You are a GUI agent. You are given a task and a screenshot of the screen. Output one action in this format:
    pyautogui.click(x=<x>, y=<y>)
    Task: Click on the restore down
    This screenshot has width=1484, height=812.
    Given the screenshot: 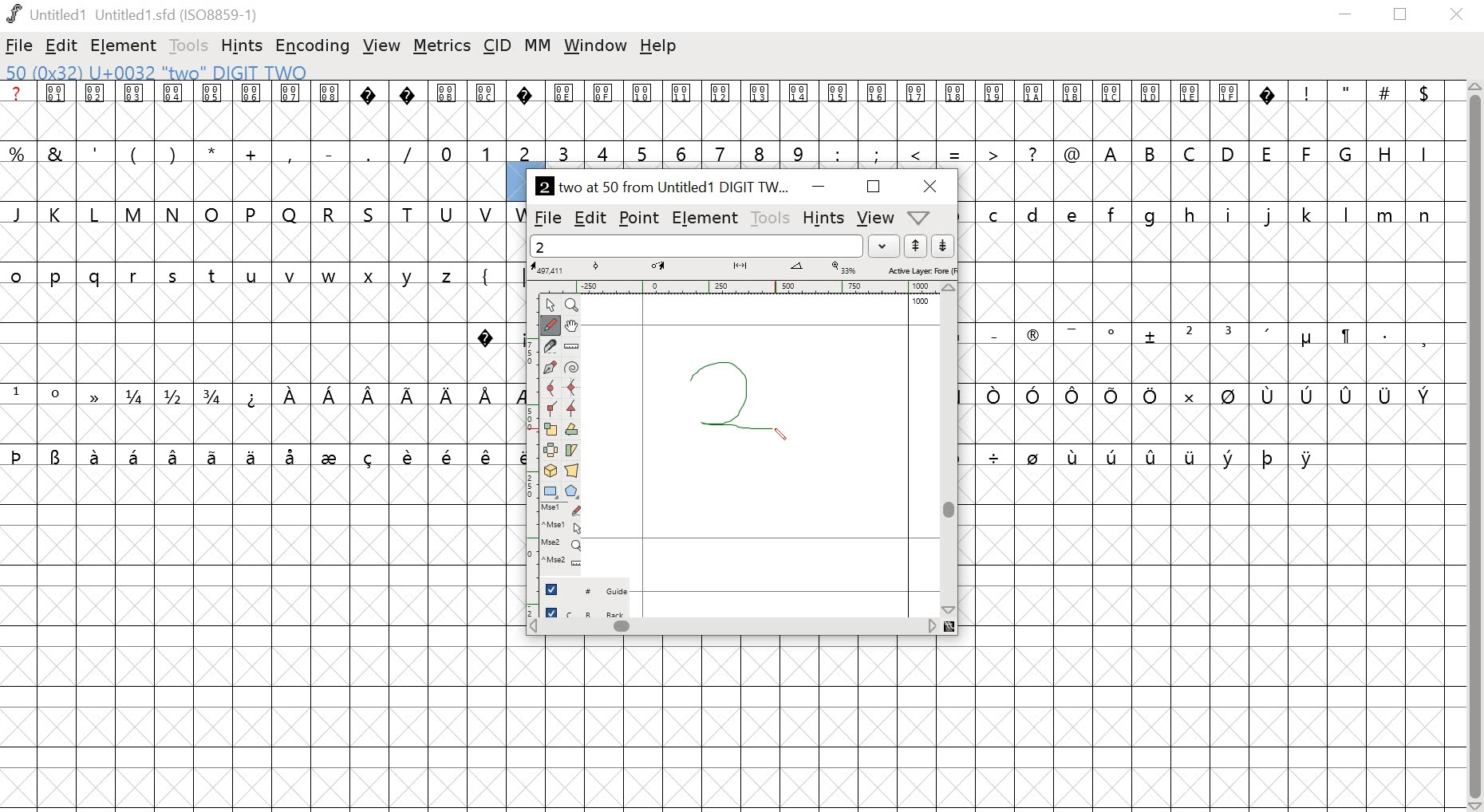 What is the action you would take?
    pyautogui.click(x=1405, y=17)
    